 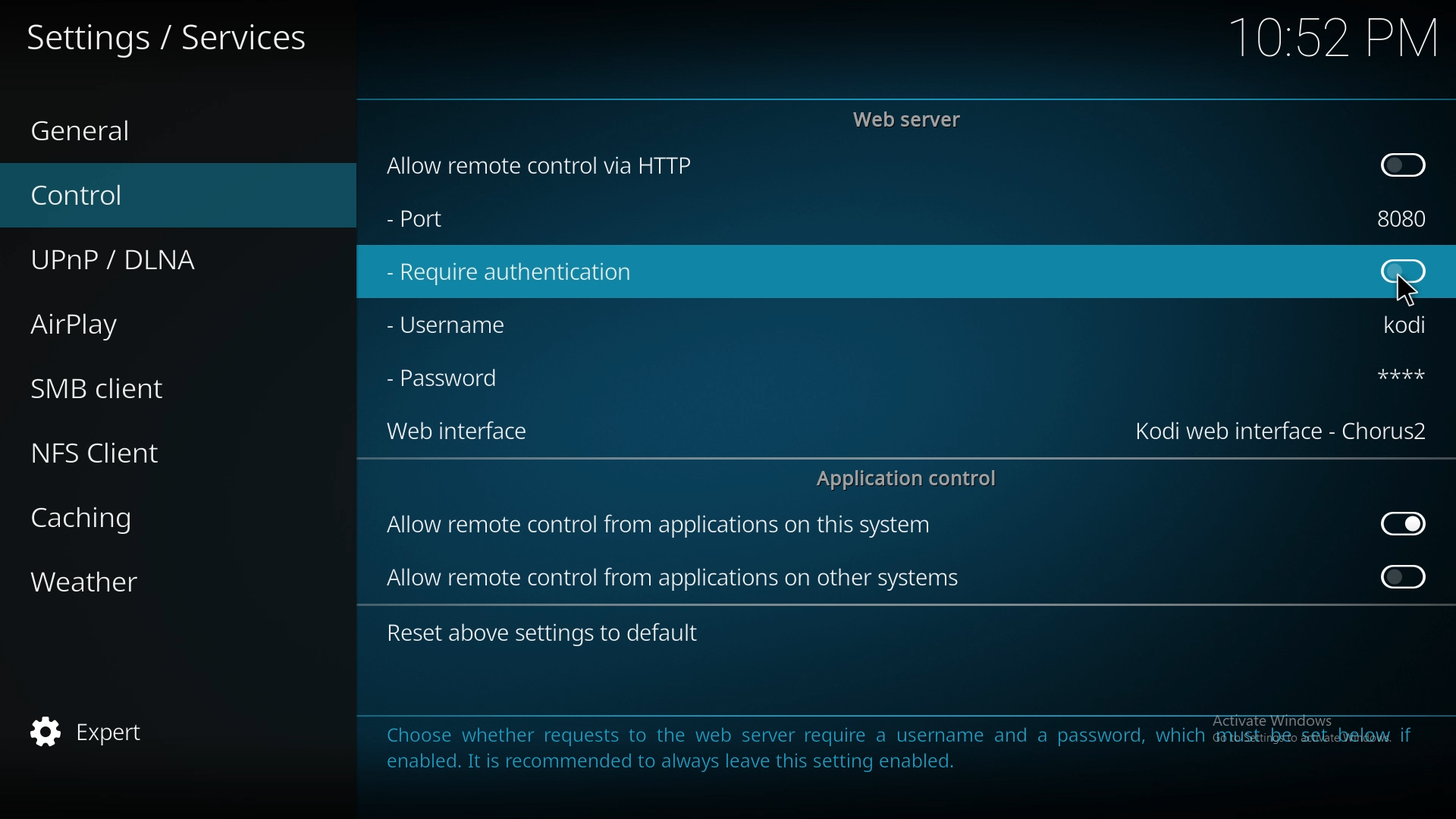 I want to click on airplay, so click(x=153, y=322).